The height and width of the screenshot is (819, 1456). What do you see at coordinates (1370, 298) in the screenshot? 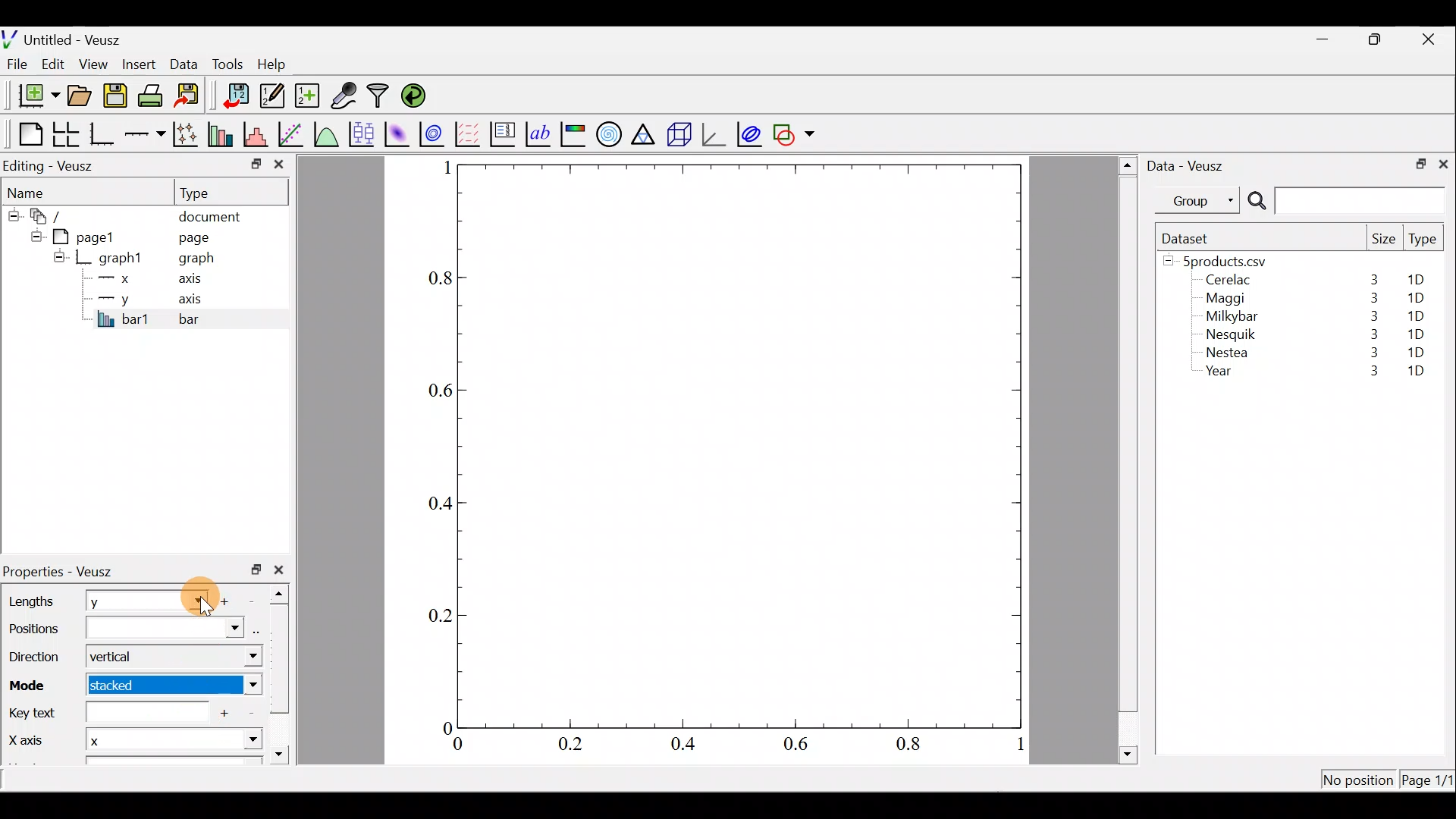
I see `3` at bounding box center [1370, 298].